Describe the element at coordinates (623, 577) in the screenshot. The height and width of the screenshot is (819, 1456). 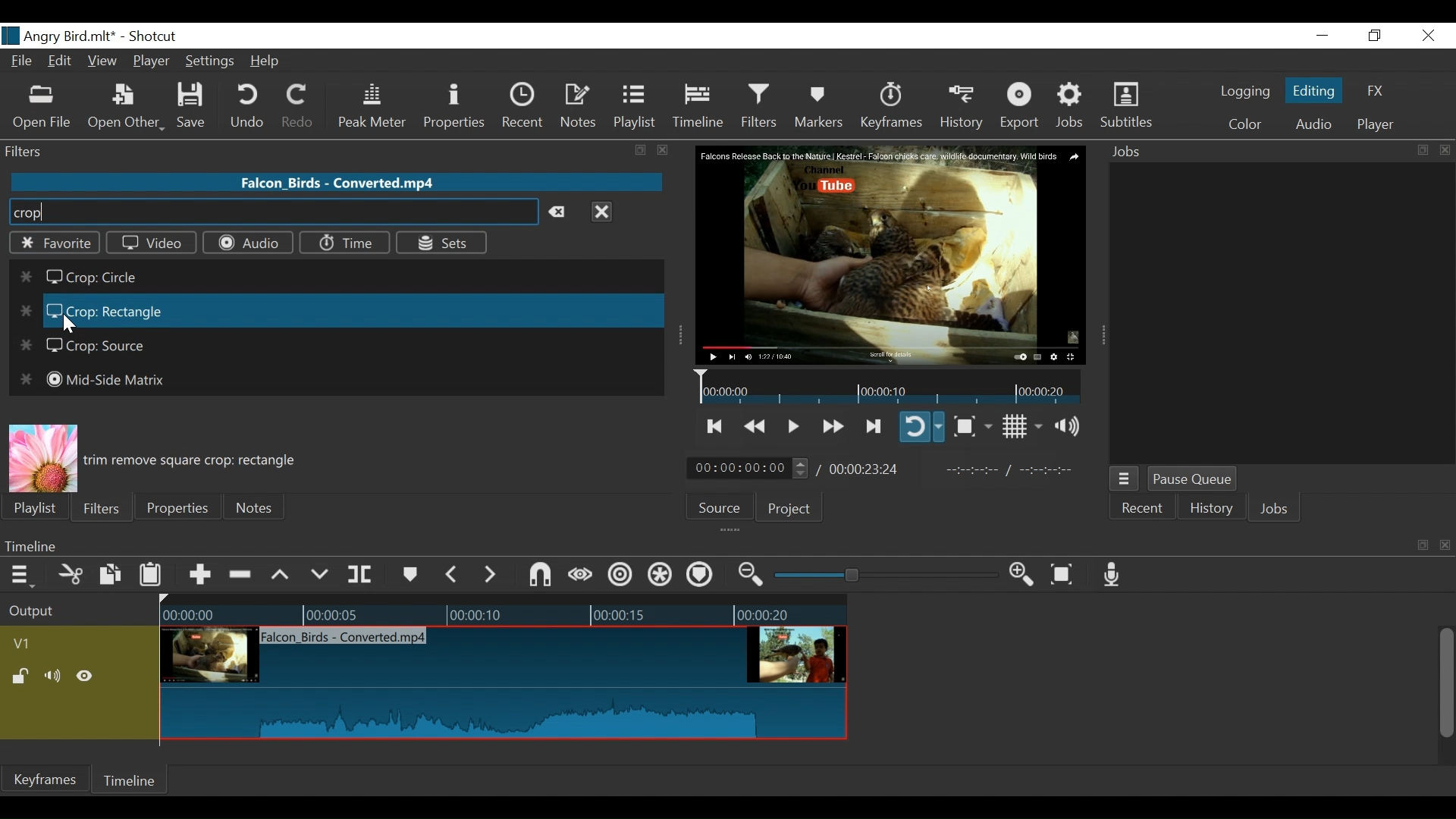
I see `Ripple` at that location.